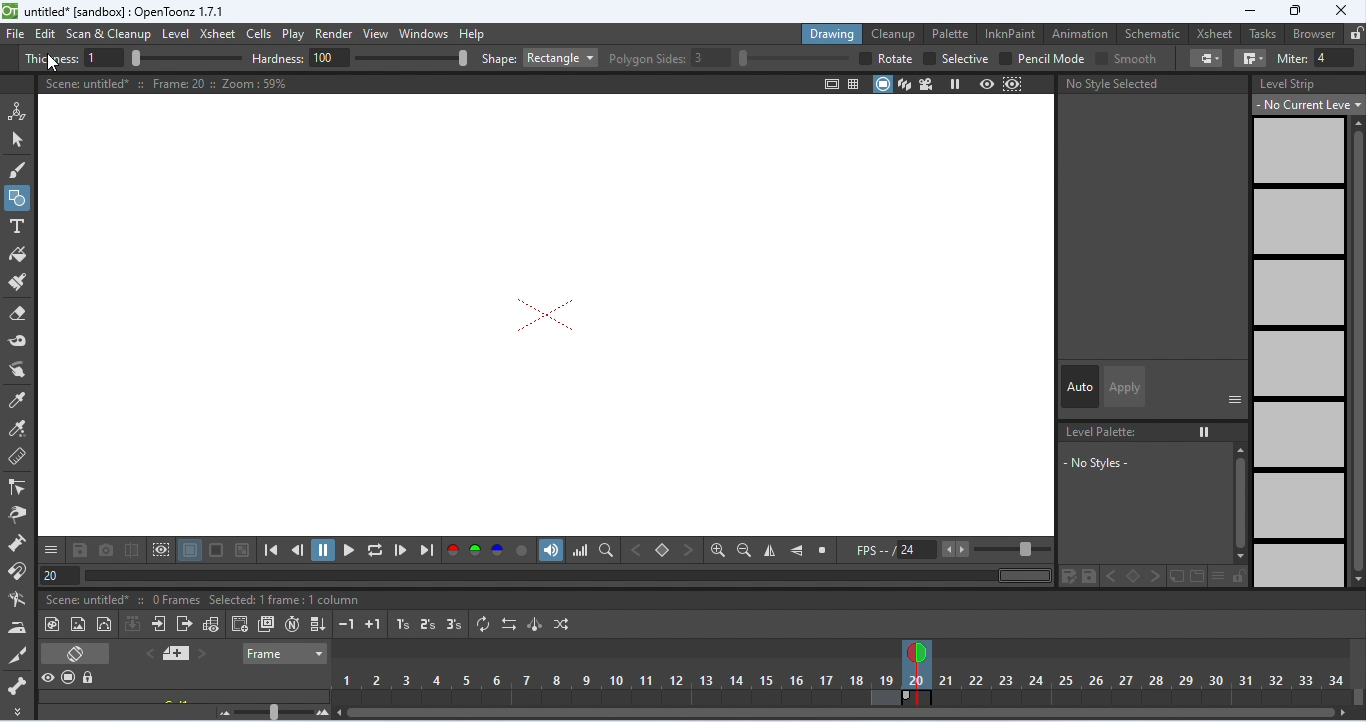 The image size is (1366, 722). Describe the element at coordinates (1080, 387) in the screenshot. I see `auto` at that location.